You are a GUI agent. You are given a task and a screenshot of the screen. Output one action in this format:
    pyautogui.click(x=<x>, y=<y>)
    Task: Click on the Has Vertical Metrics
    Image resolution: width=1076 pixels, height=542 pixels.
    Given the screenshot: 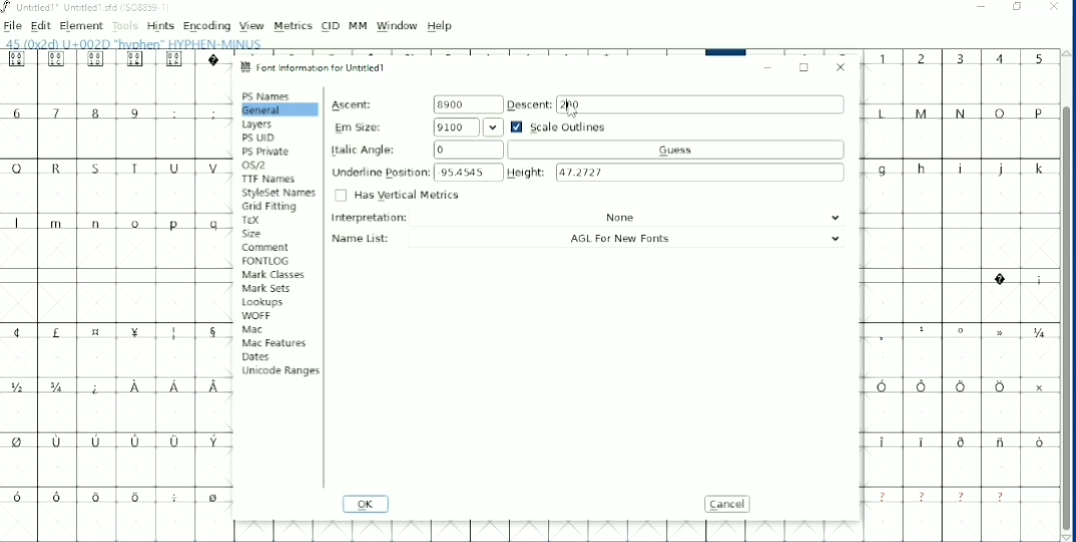 What is the action you would take?
    pyautogui.click(x=397, y=195)
    